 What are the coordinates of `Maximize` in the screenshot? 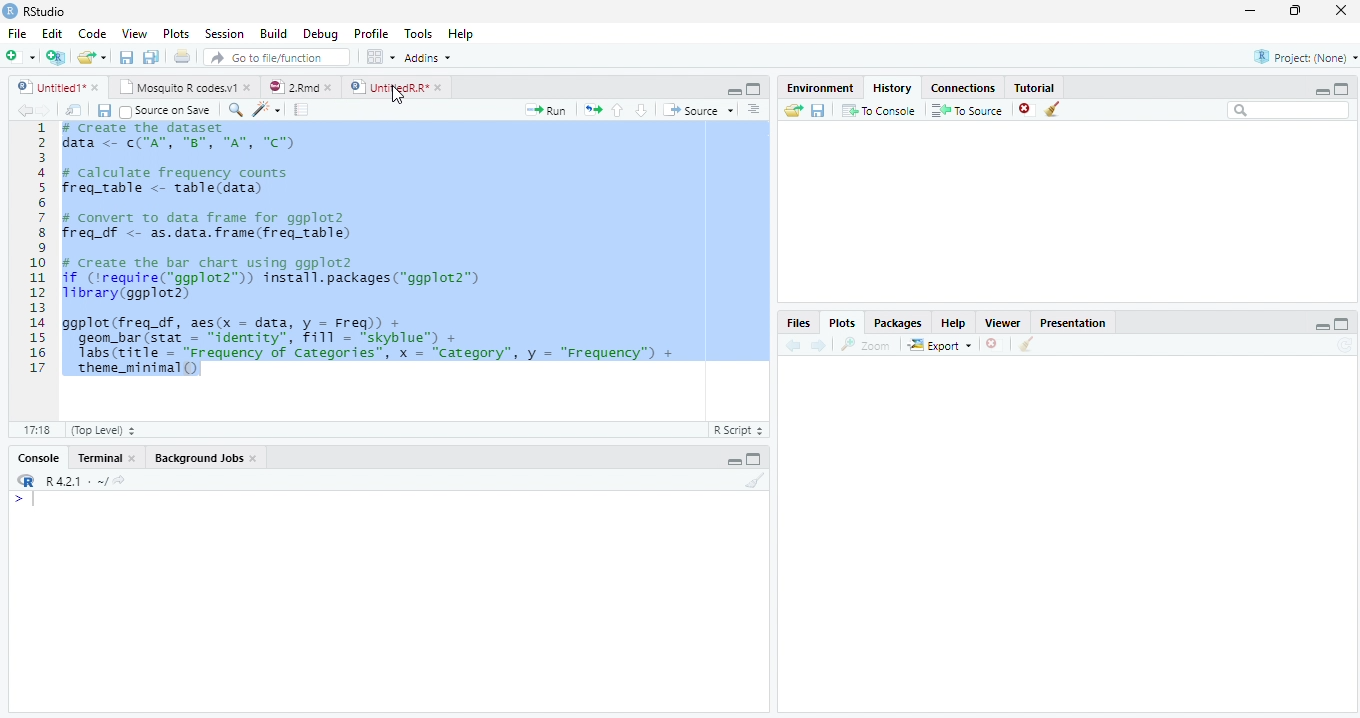 It's located at (753, 90).